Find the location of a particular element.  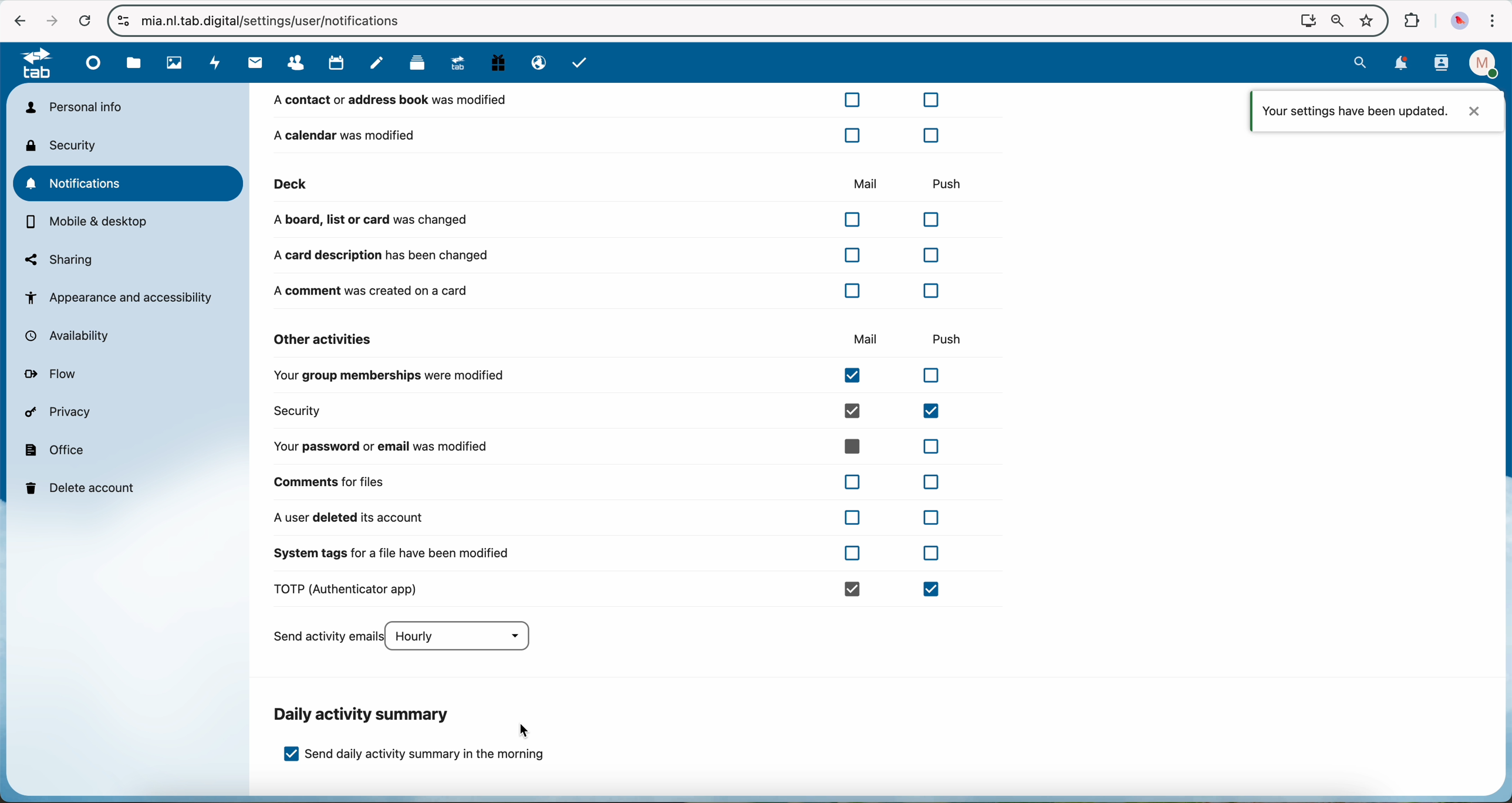

click on send daily activity summary in the morning is located at coordinates (416, 758).